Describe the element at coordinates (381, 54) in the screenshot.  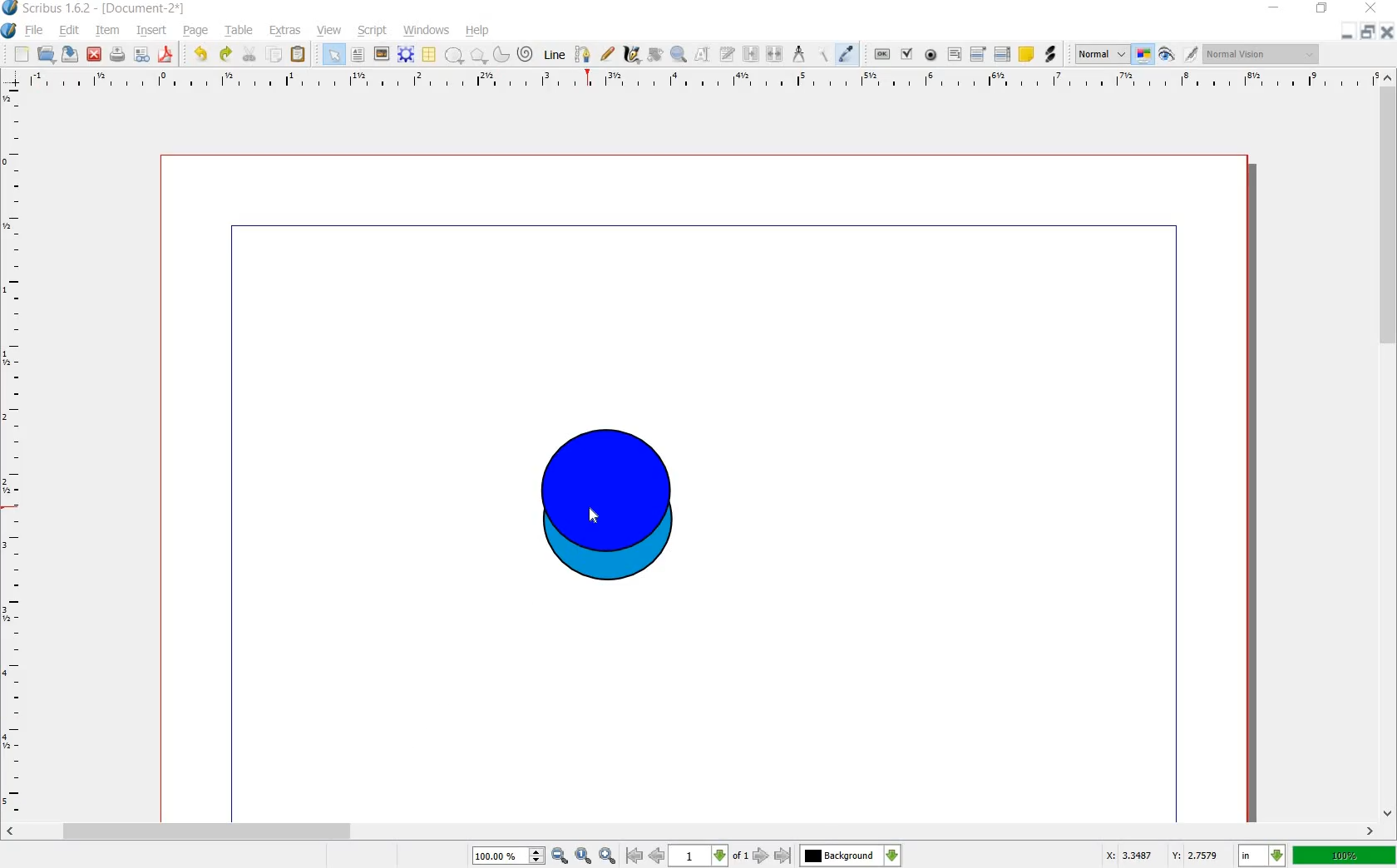
I see `image frame` at that location.